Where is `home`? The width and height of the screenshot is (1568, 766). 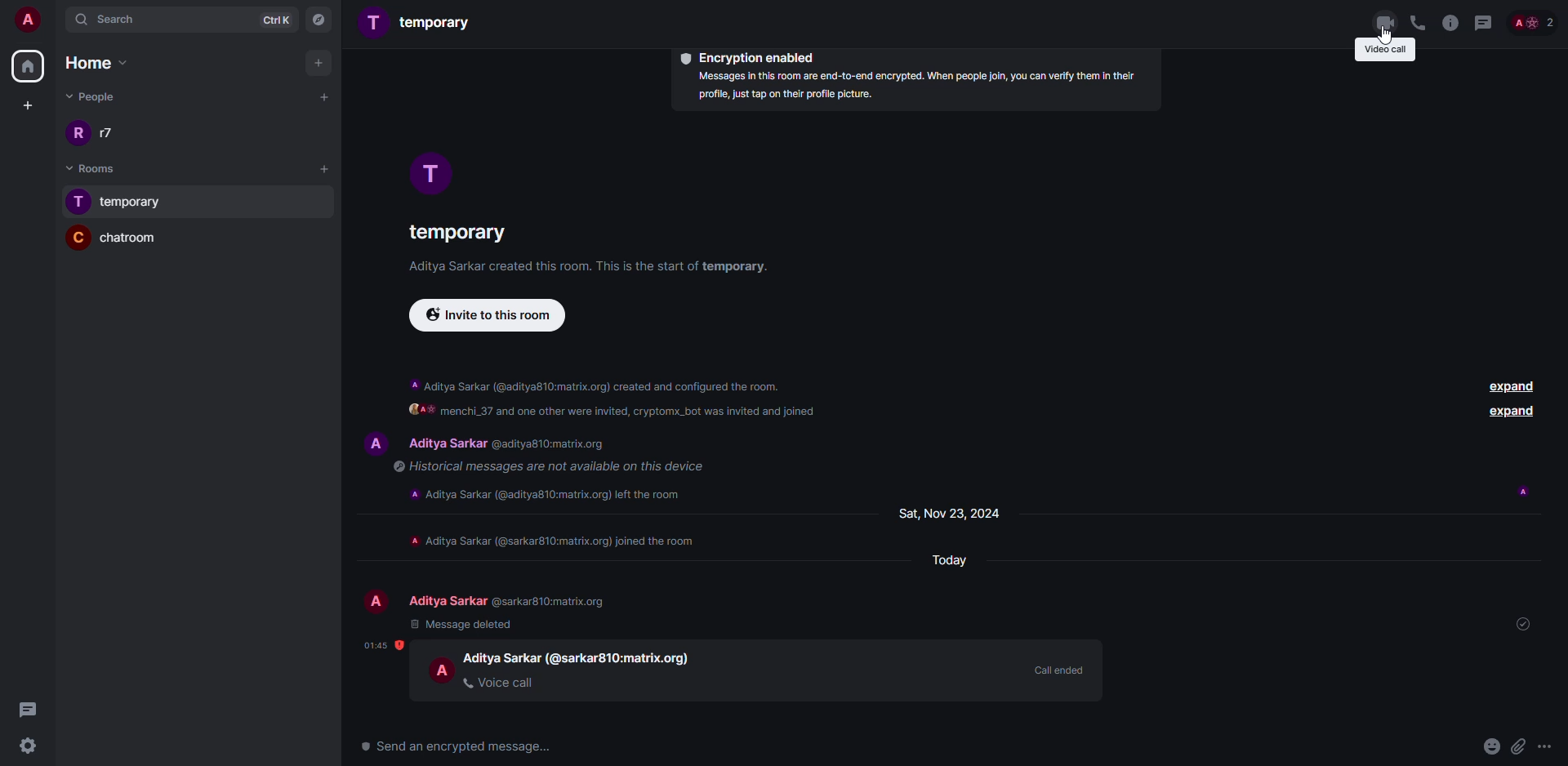 home is located at coordinates (27, 67).